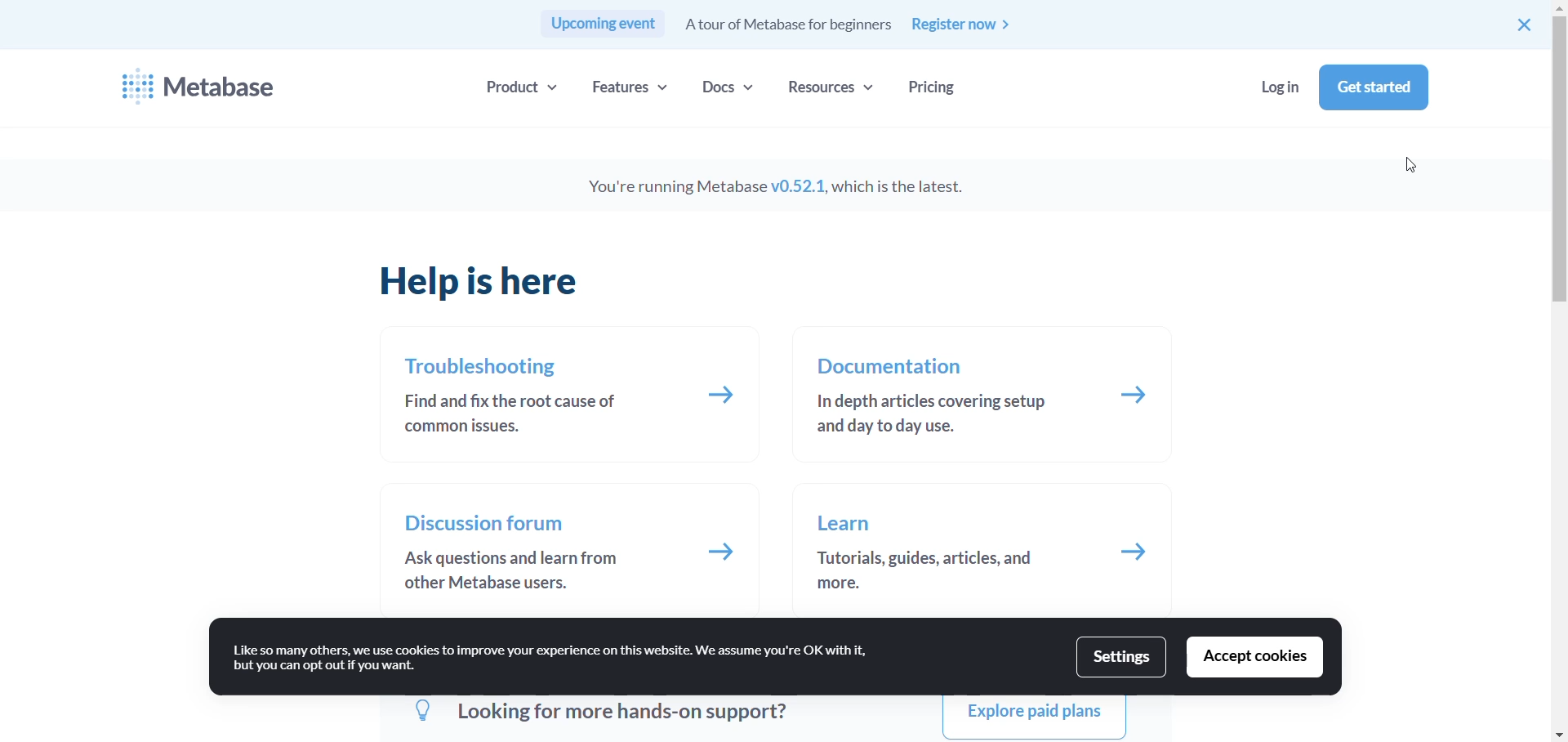 The image size is (1568, 742). I want to click on prcing, so click(930, 87).